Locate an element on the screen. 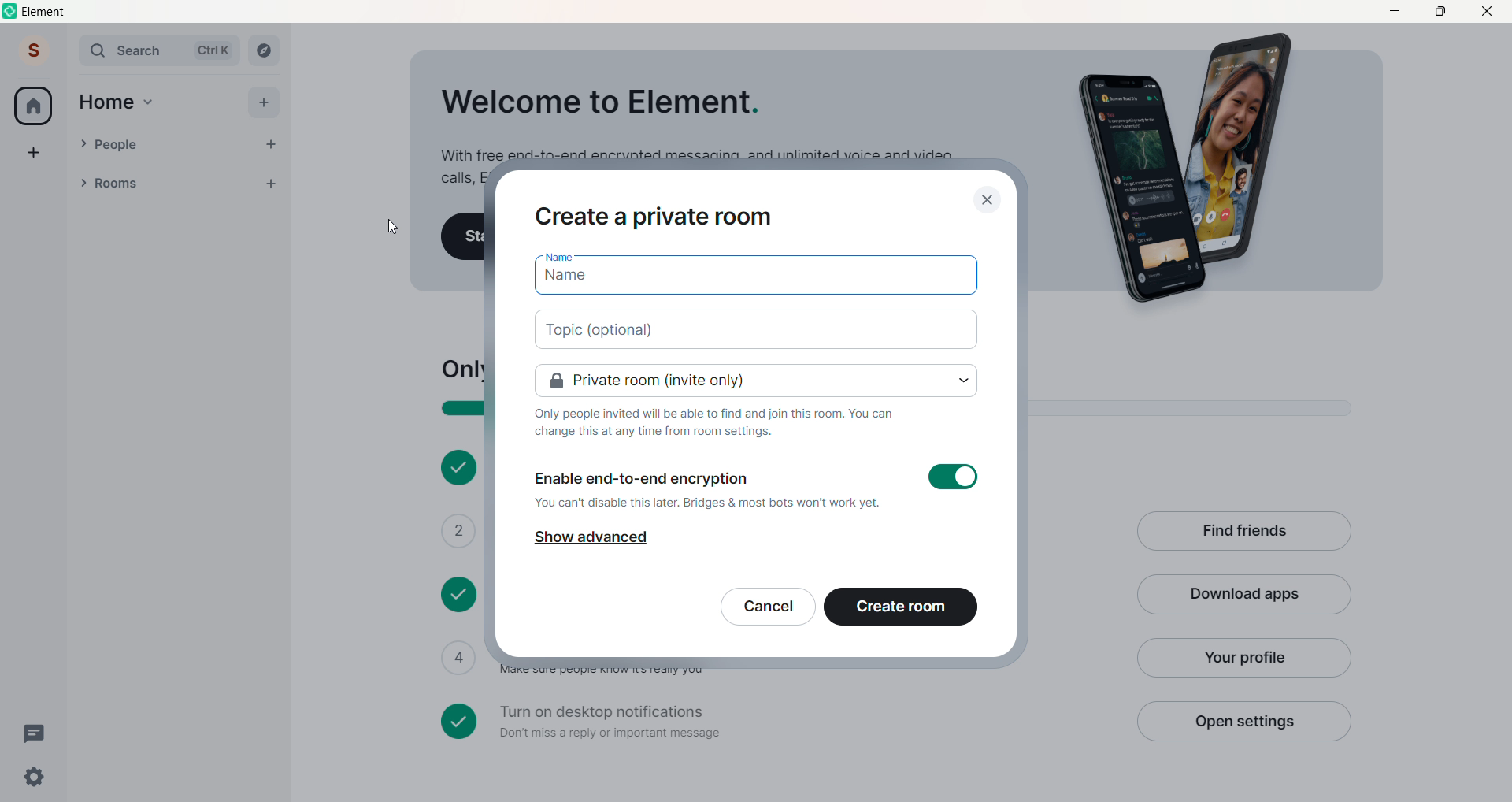 The height and width of the screenshot is (802, 1512). Cancel is located at coordinates (768, 607).